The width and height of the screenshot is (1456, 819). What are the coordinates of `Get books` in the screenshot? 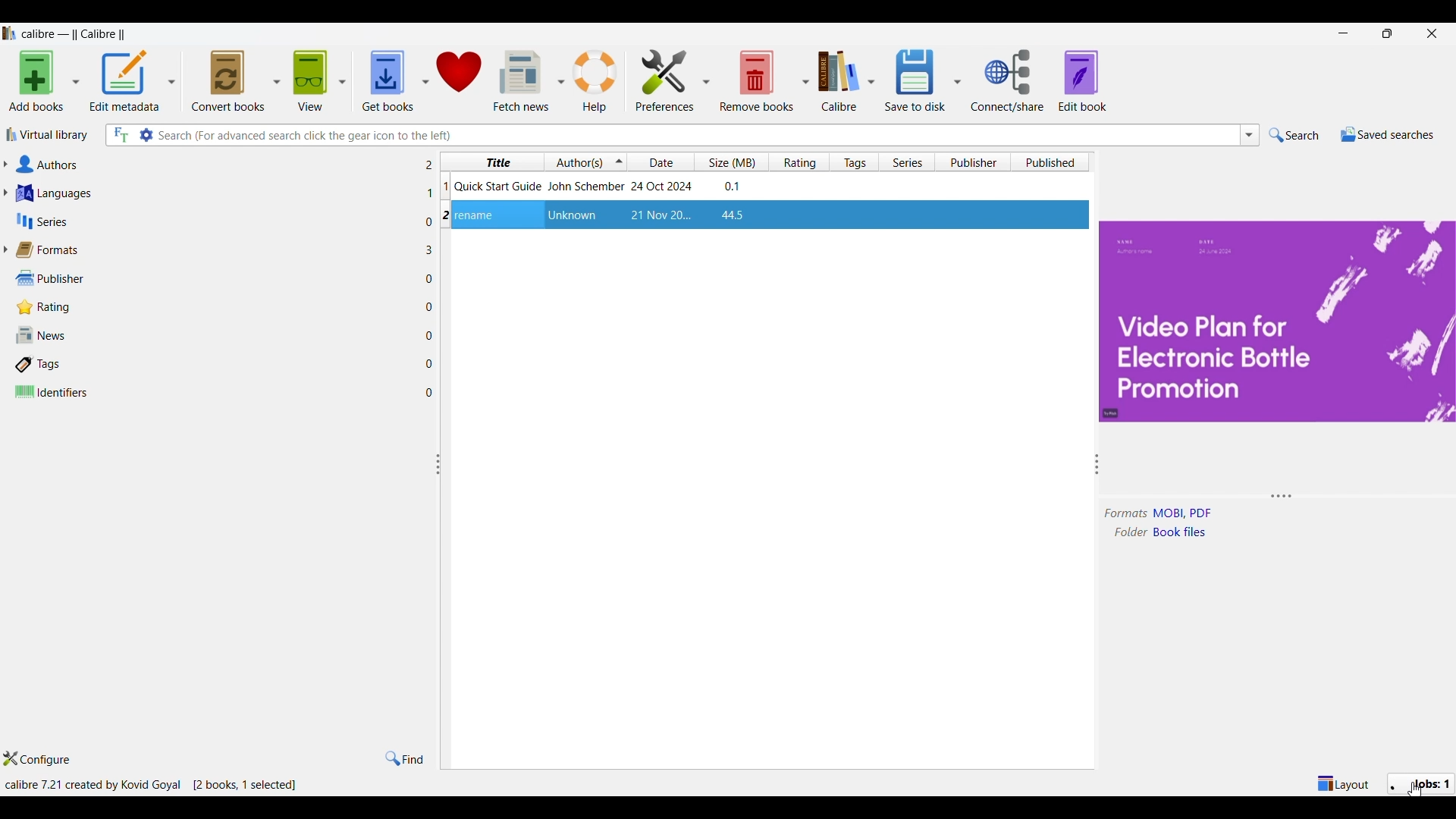 It's located at (388, 81).